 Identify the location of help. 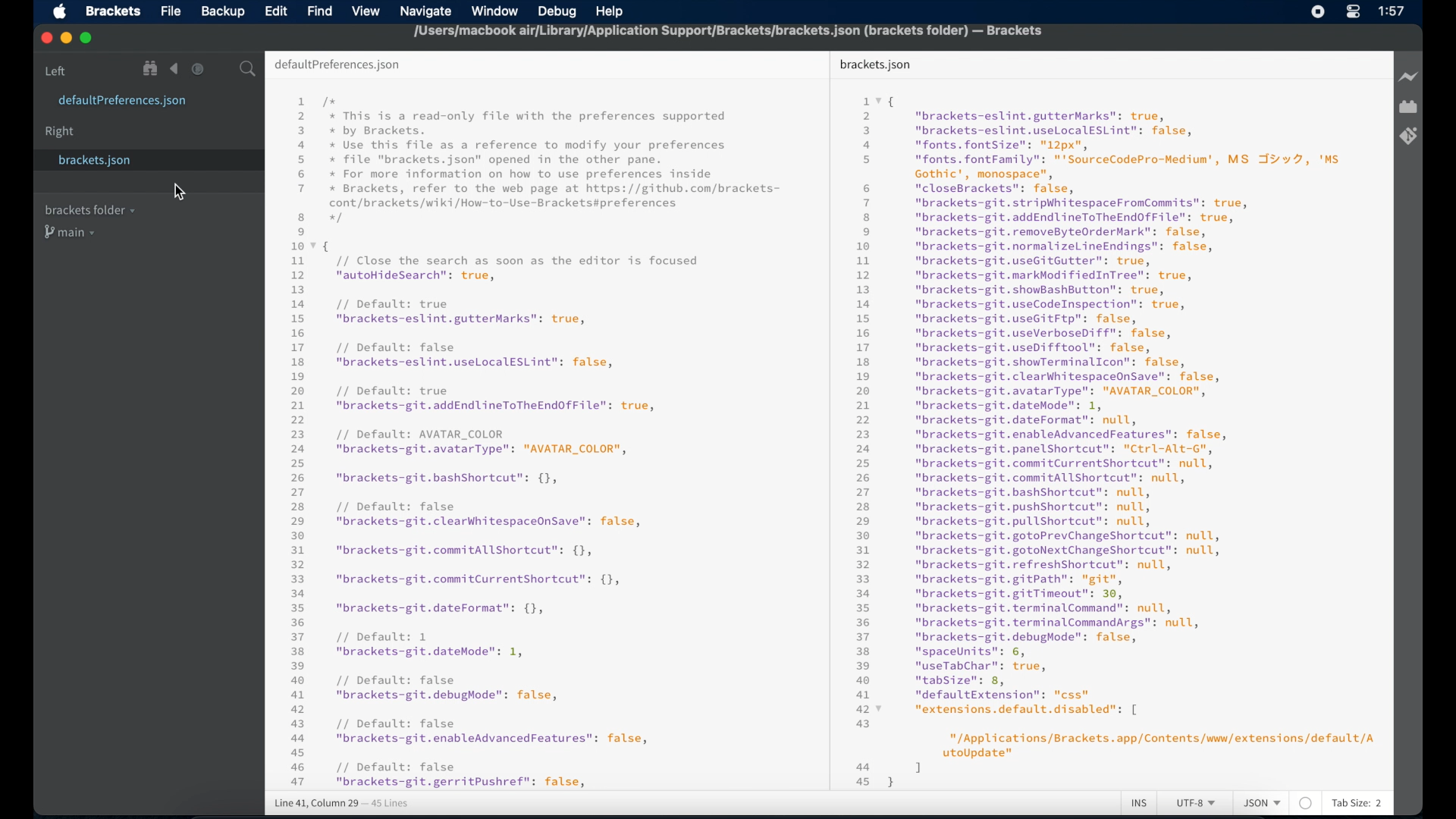
(609, 11).